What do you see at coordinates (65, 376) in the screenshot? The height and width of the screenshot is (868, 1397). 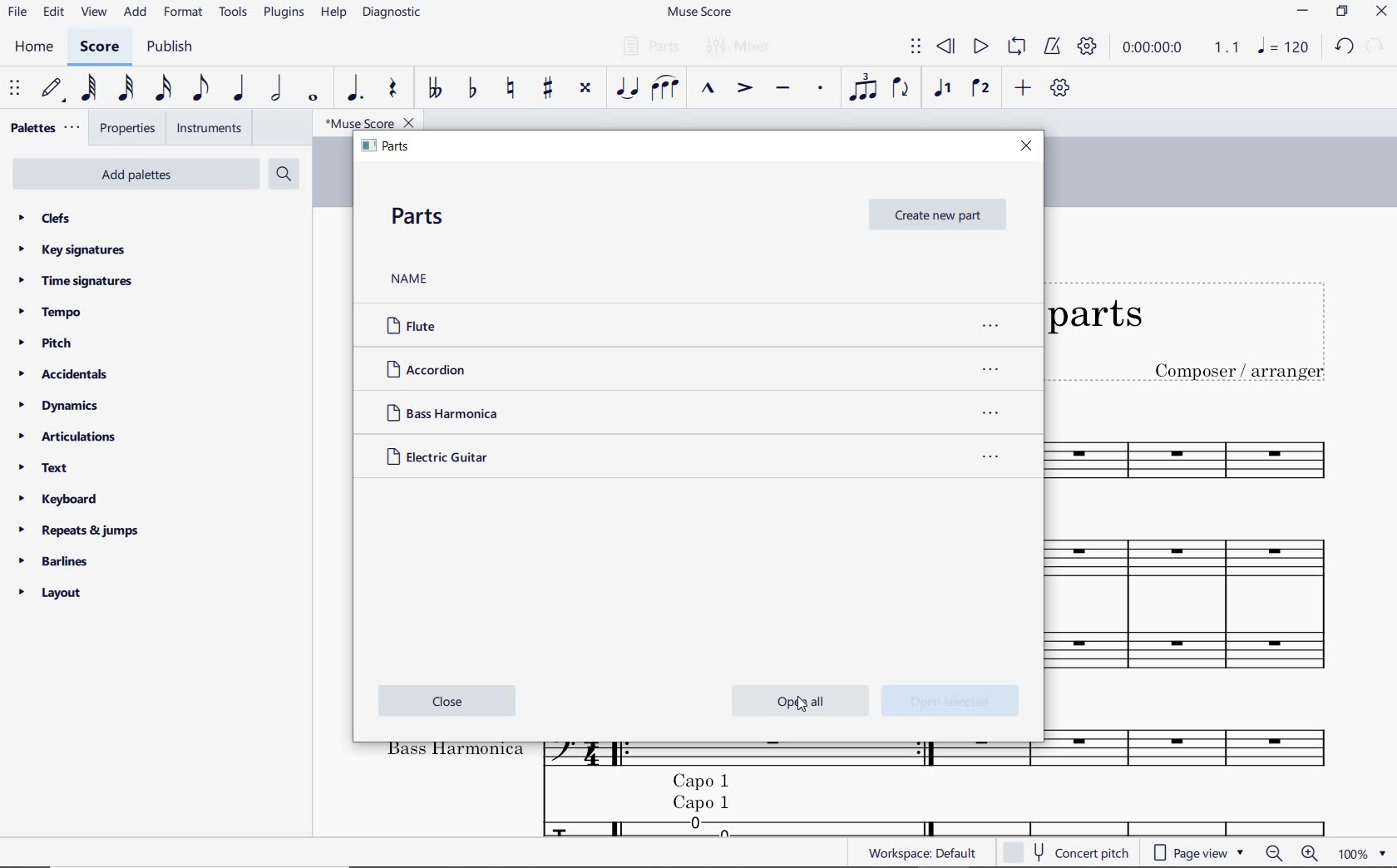 I see `accidentals` at bounding box center [65, 376].